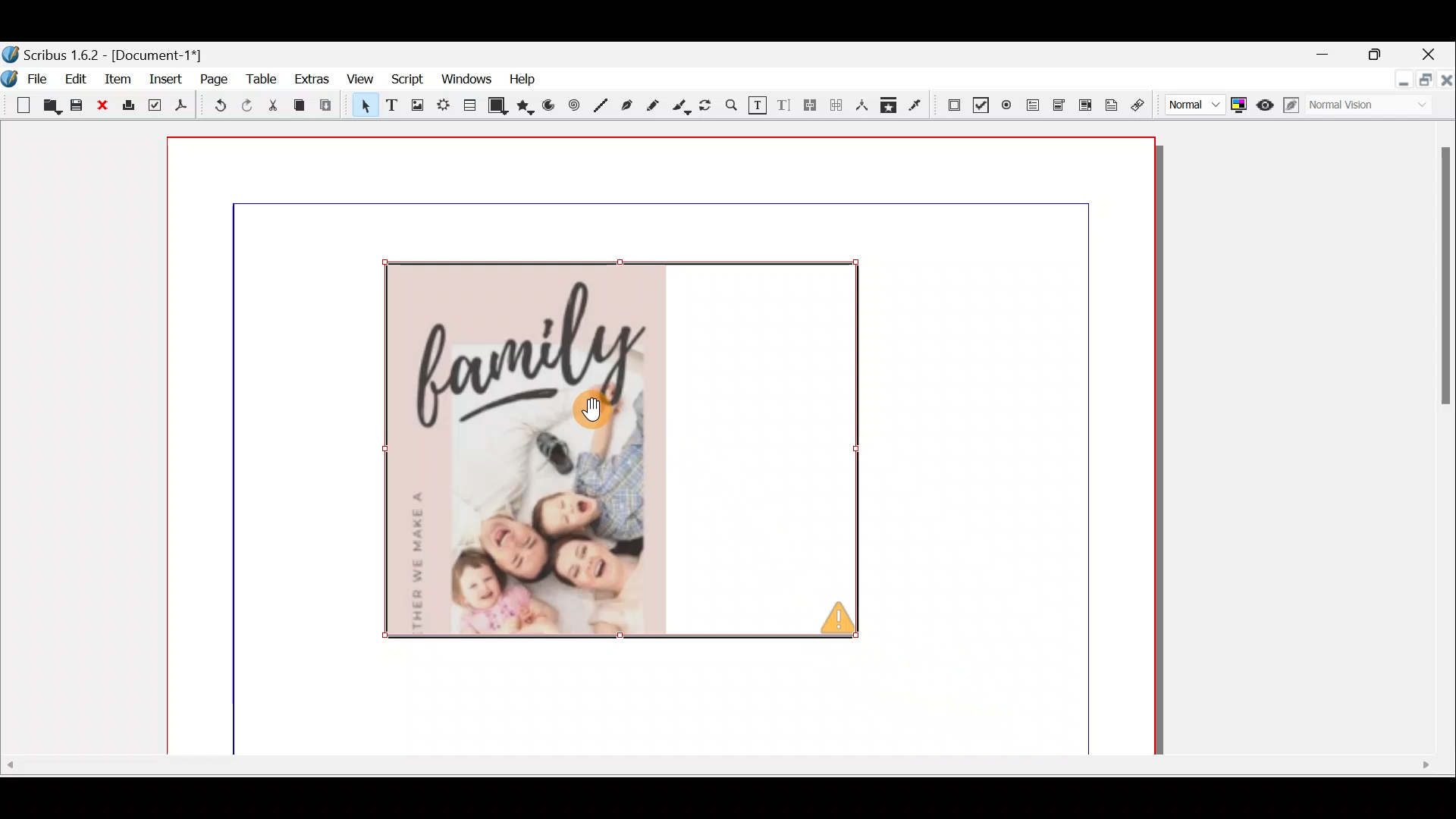 This screenshot has height=819, width=1456. I want to click on Script , so click(412, 80).